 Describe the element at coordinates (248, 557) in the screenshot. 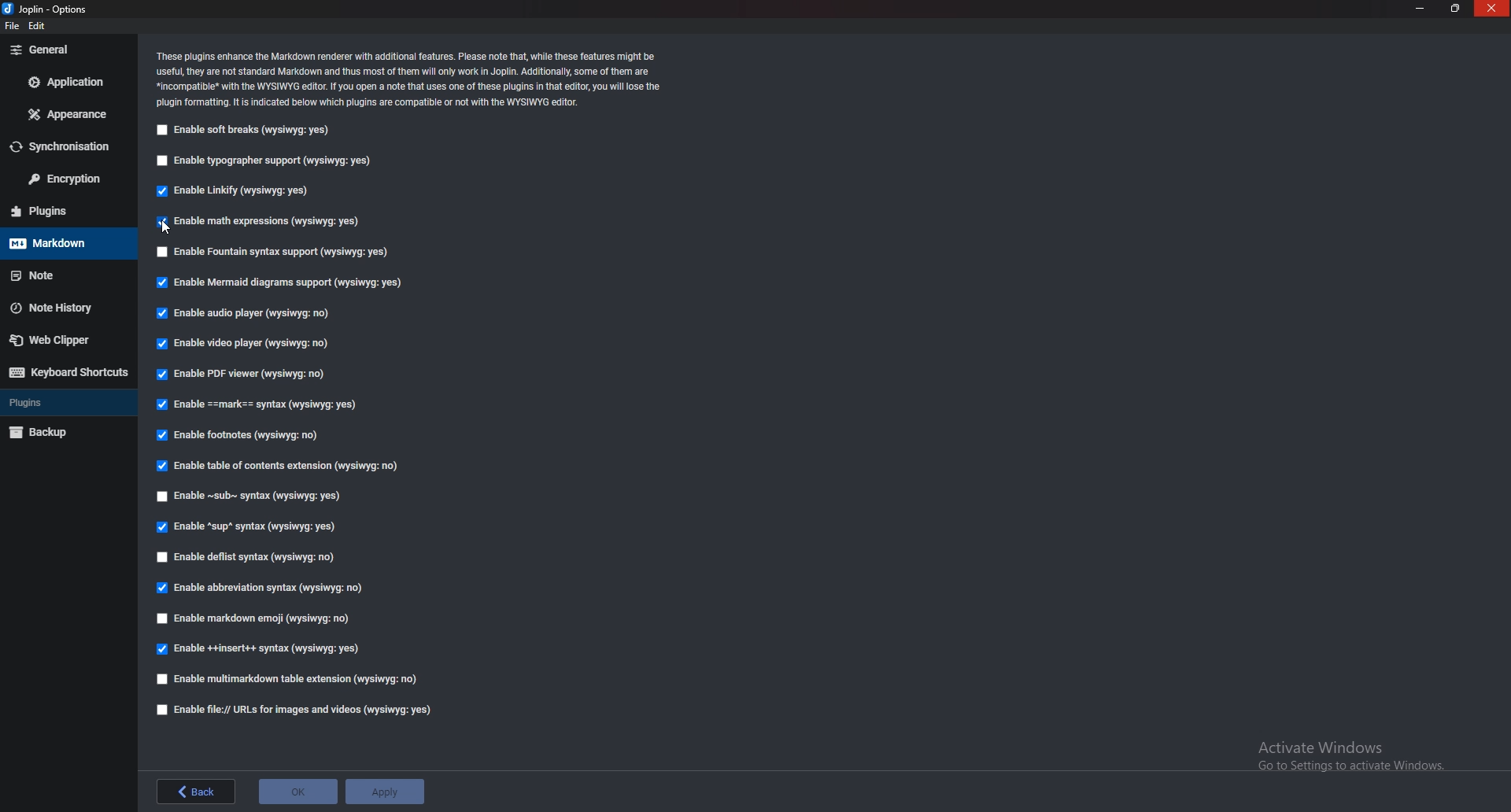

I see `enable deflist syntax` at that location.